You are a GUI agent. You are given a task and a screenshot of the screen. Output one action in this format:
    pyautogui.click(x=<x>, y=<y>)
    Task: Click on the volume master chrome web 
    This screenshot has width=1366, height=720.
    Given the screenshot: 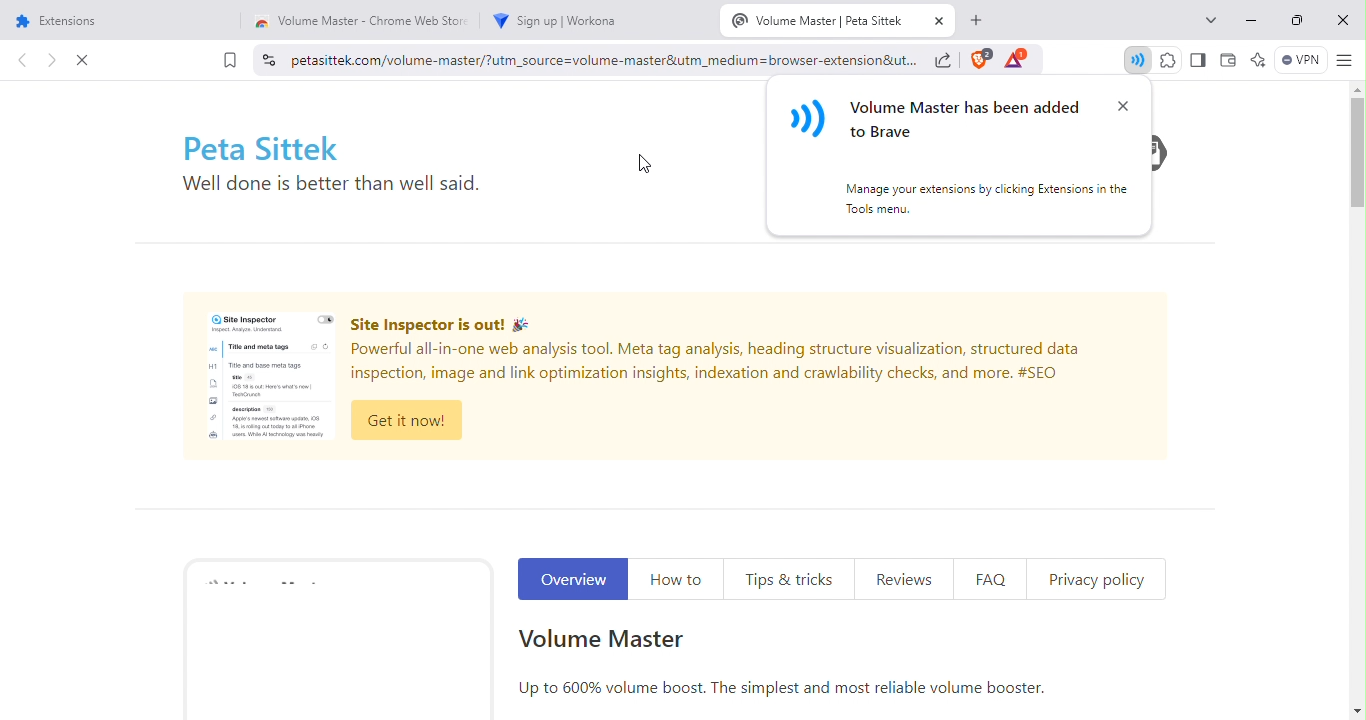 What is the action you would take?
    pyautogui.click(x=359, y=20)
    